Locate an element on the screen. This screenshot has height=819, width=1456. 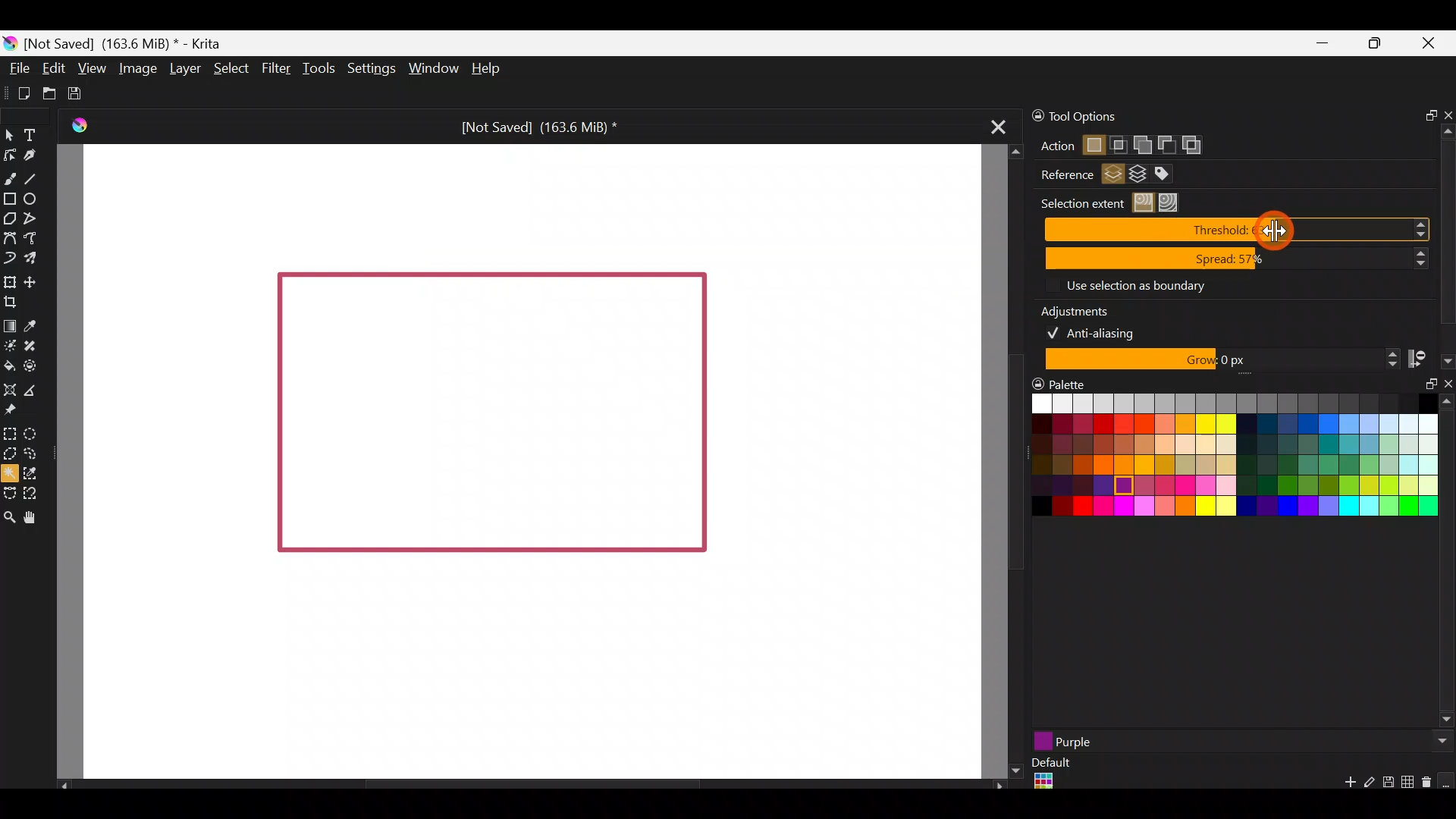
Layer is located at coordinates (185, 67).